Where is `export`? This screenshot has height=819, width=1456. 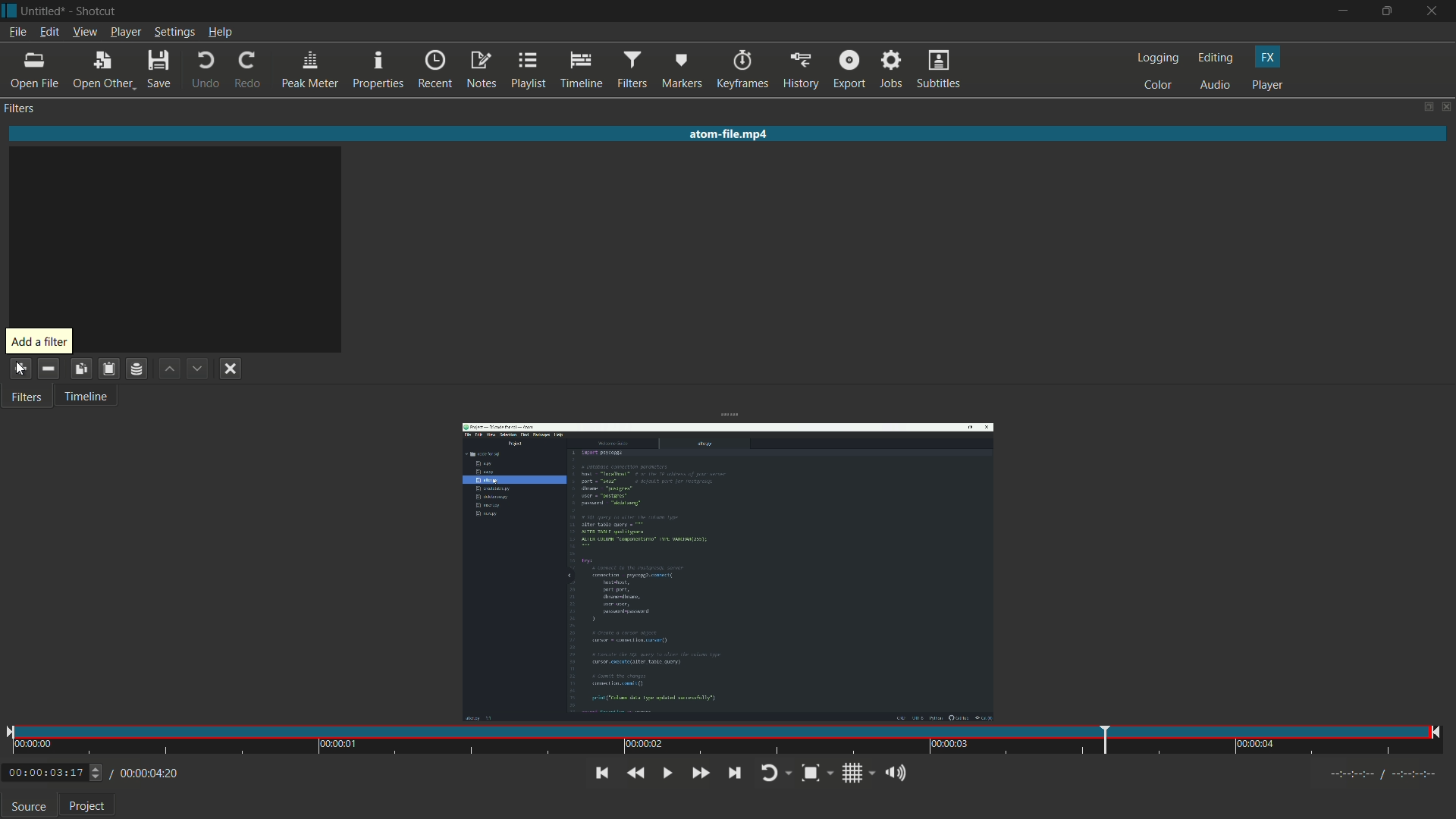 export is located at coordinates (847, 71).